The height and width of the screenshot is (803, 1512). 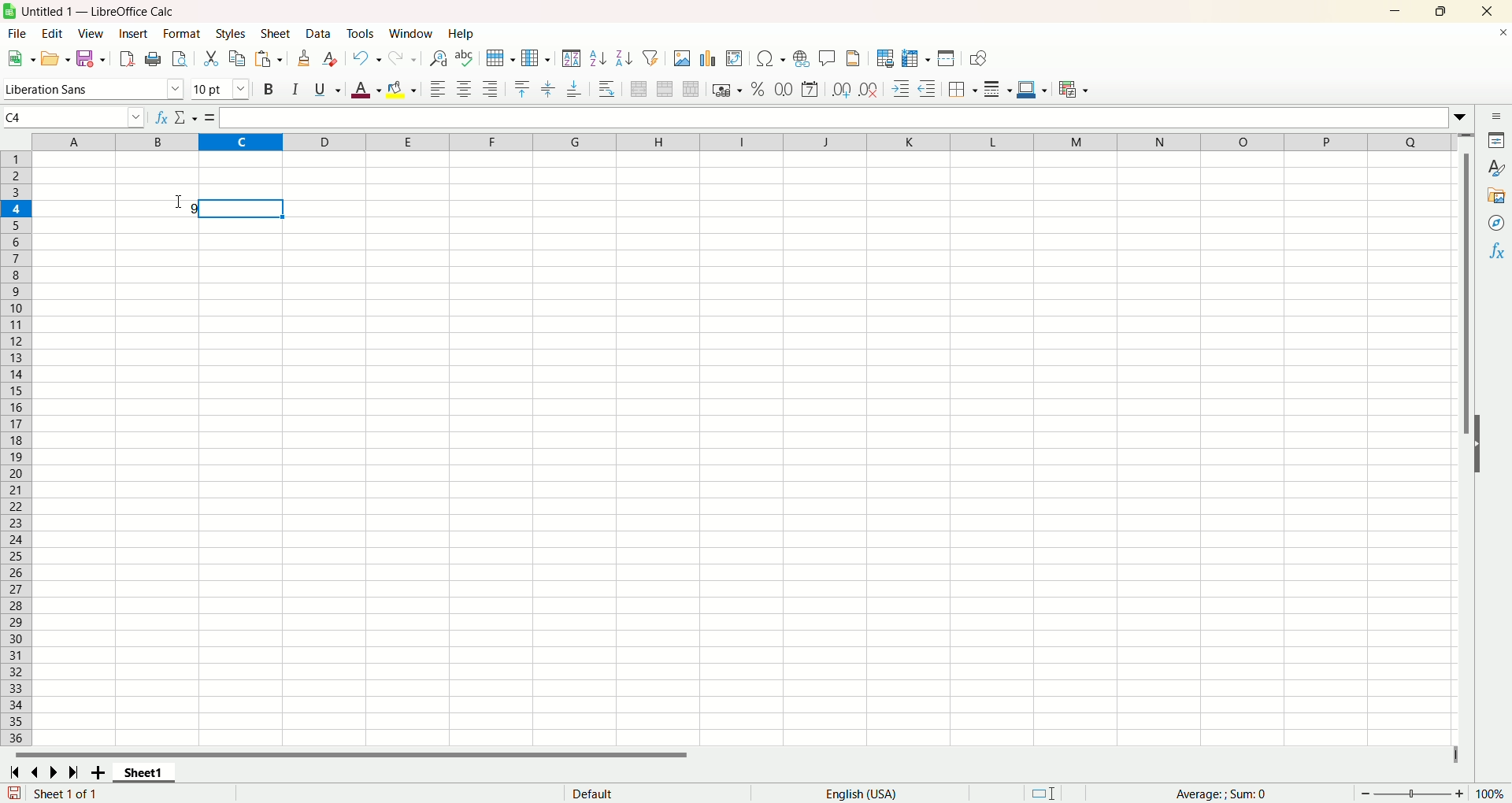 What do you see at coordinates (292, 90) in the screenshot?
I see `italics` at bounding box center [292, 90].